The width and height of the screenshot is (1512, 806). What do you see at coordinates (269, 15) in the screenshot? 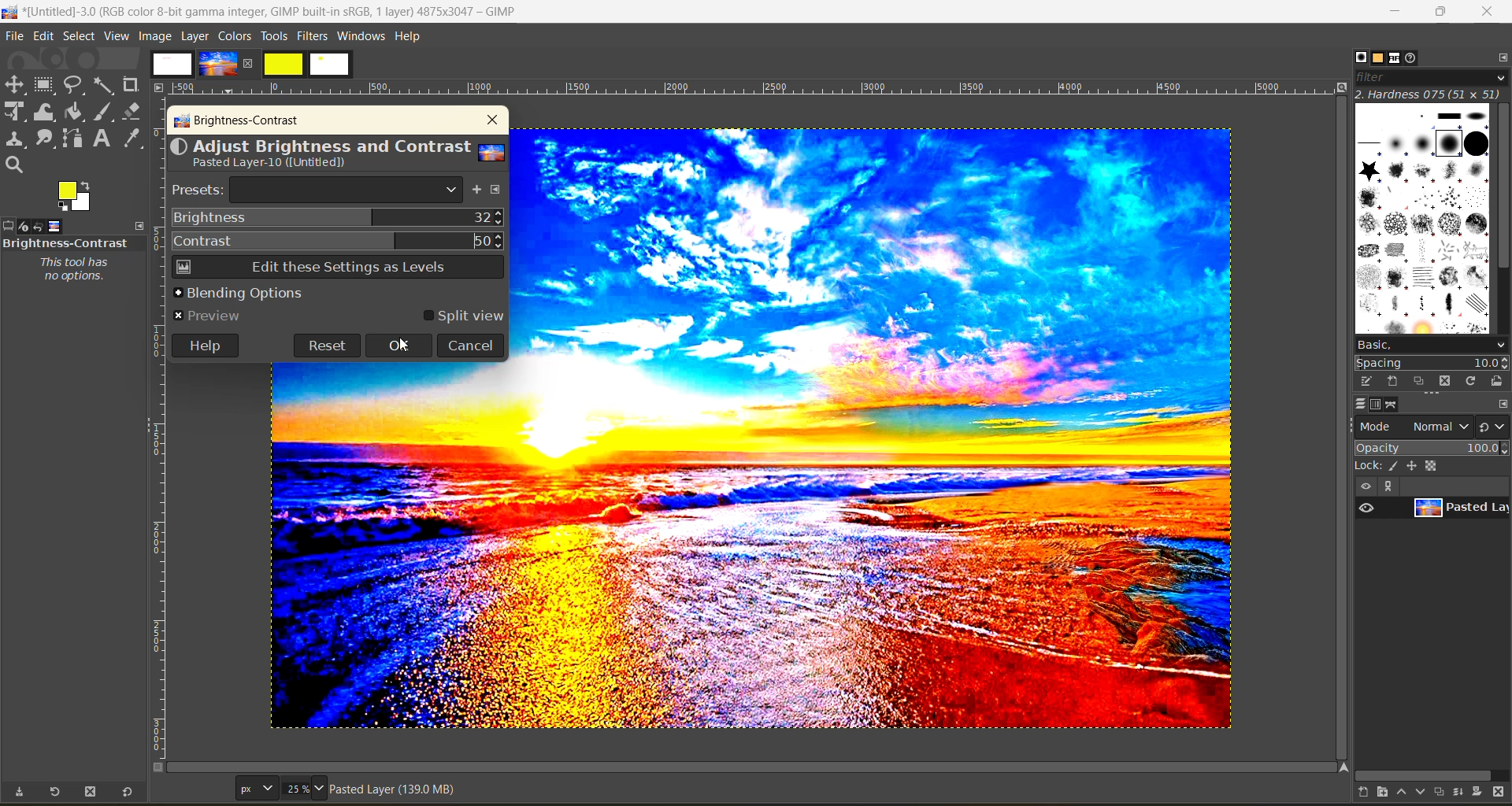
I see `file name and app title` at bounding box center [269, 15].